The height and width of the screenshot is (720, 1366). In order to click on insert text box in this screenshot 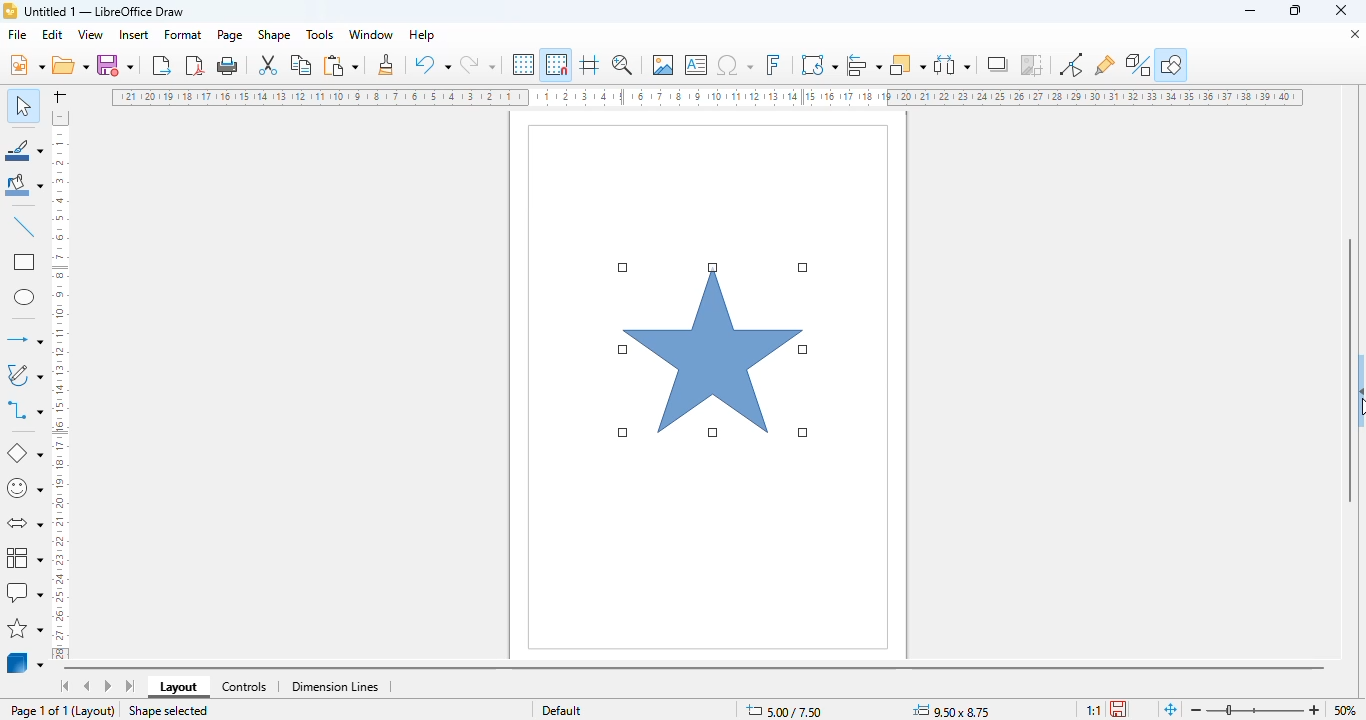, I will do `click(696, 65)`.